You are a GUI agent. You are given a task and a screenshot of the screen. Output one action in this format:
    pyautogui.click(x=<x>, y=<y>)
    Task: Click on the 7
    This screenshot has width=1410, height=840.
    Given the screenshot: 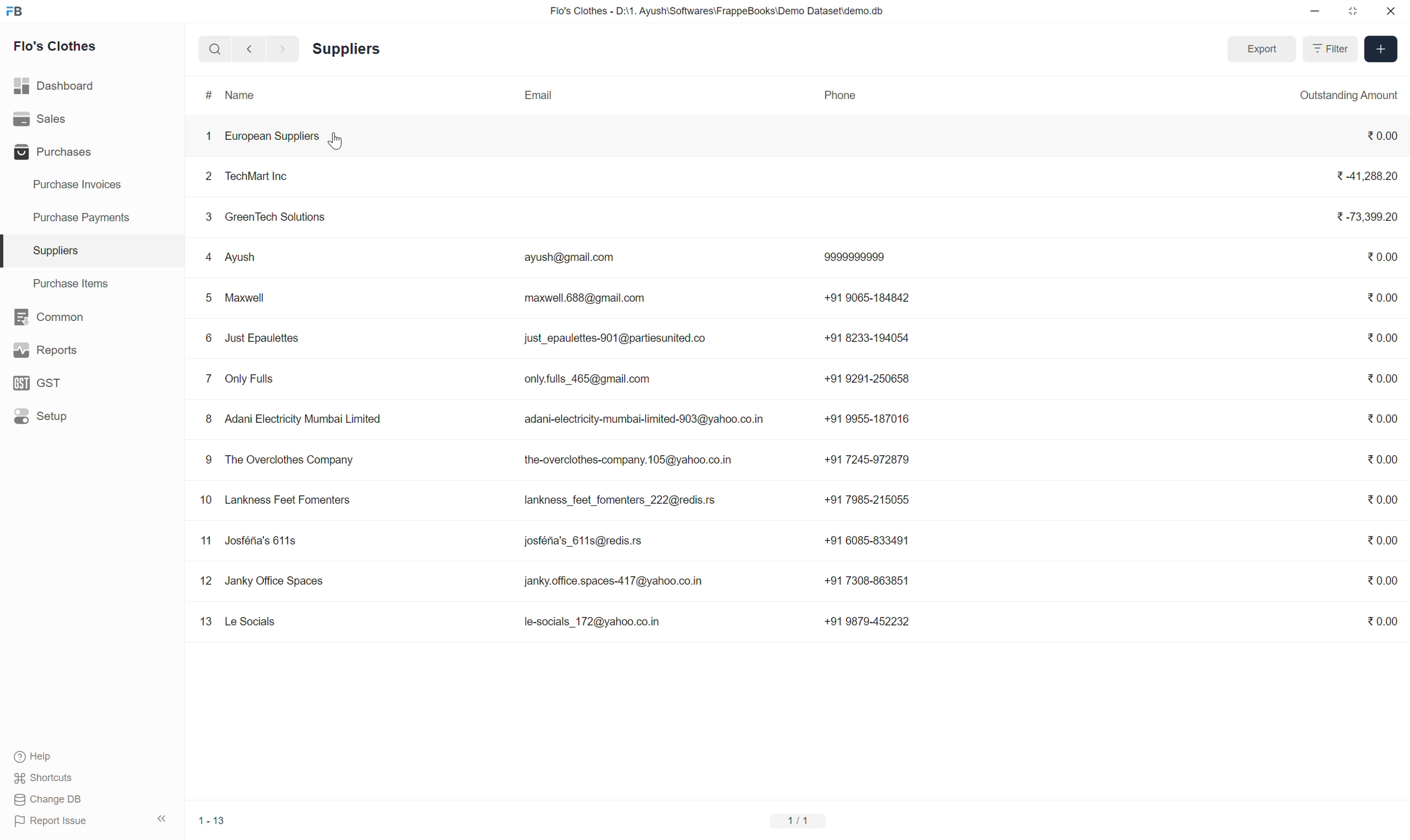 What is the action you would take?
    pyautogui.click(x=203, y=377)
    